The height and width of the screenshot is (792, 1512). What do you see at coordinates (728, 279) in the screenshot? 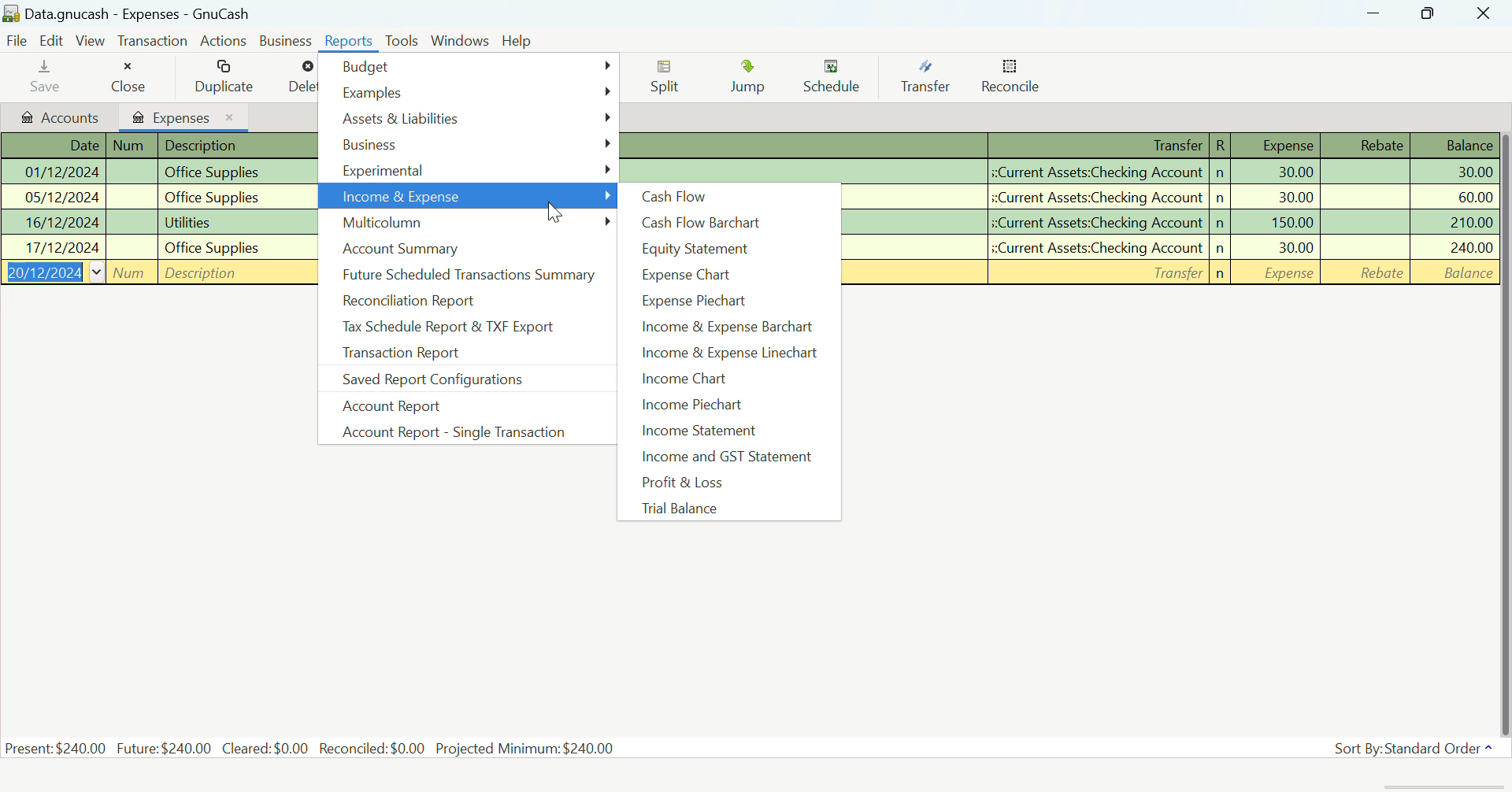
I see `Expense Chart` at bounding box center [728, 279].